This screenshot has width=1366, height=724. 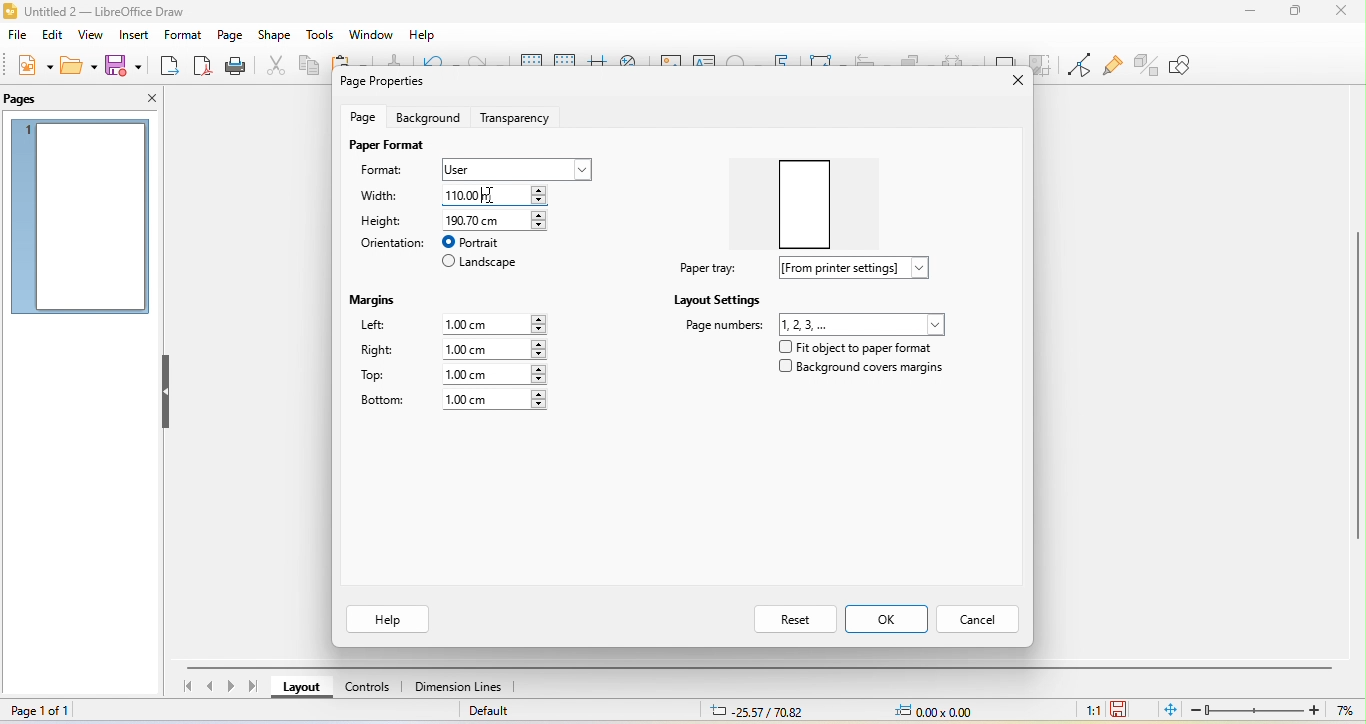 I want to click on toggle extrusion, so click(x=1147, y=63).